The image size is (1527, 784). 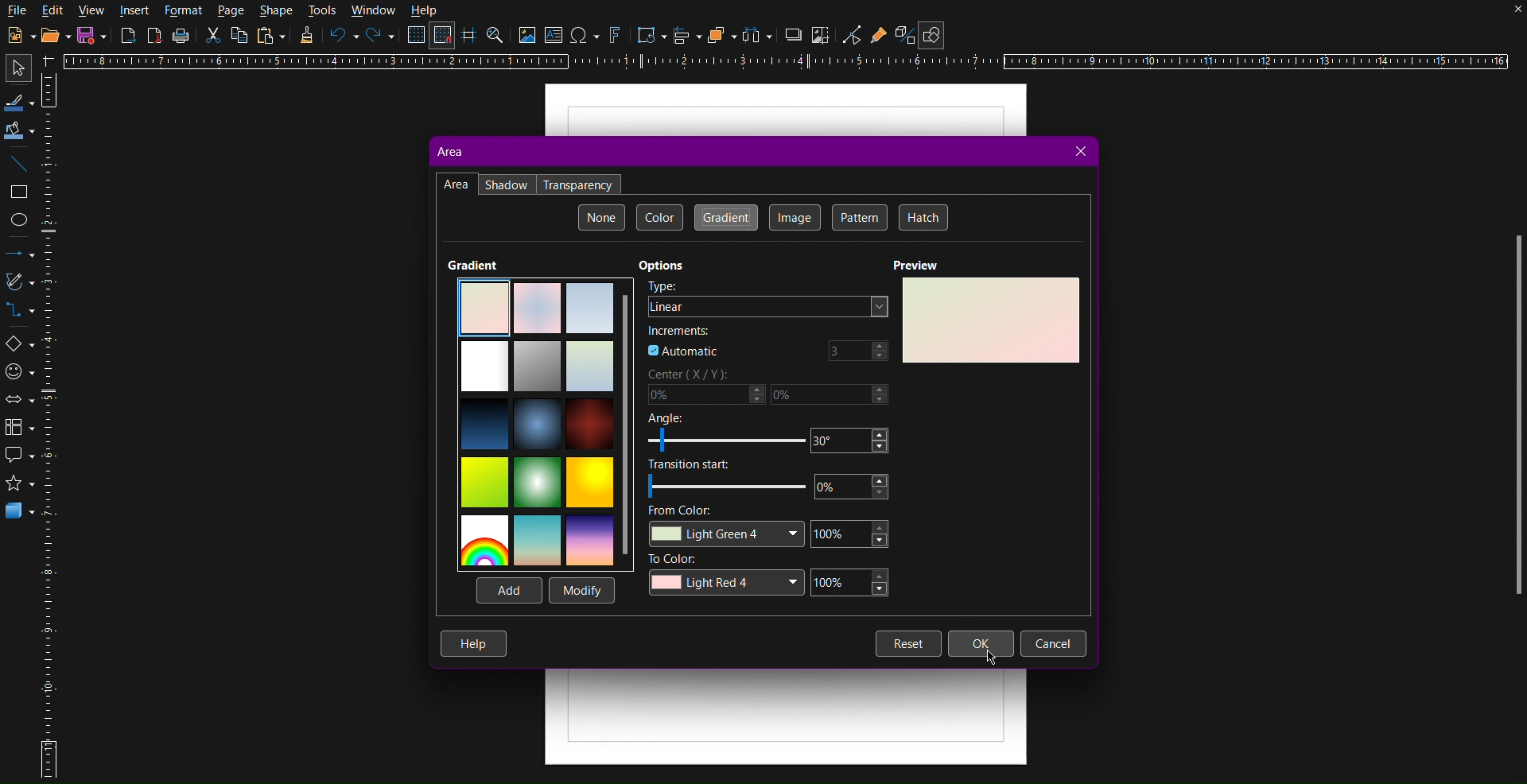 What do you see at coordinates (19, 130) in the screenshot?
I see `Fill Color` at bounding box center [19, 130].